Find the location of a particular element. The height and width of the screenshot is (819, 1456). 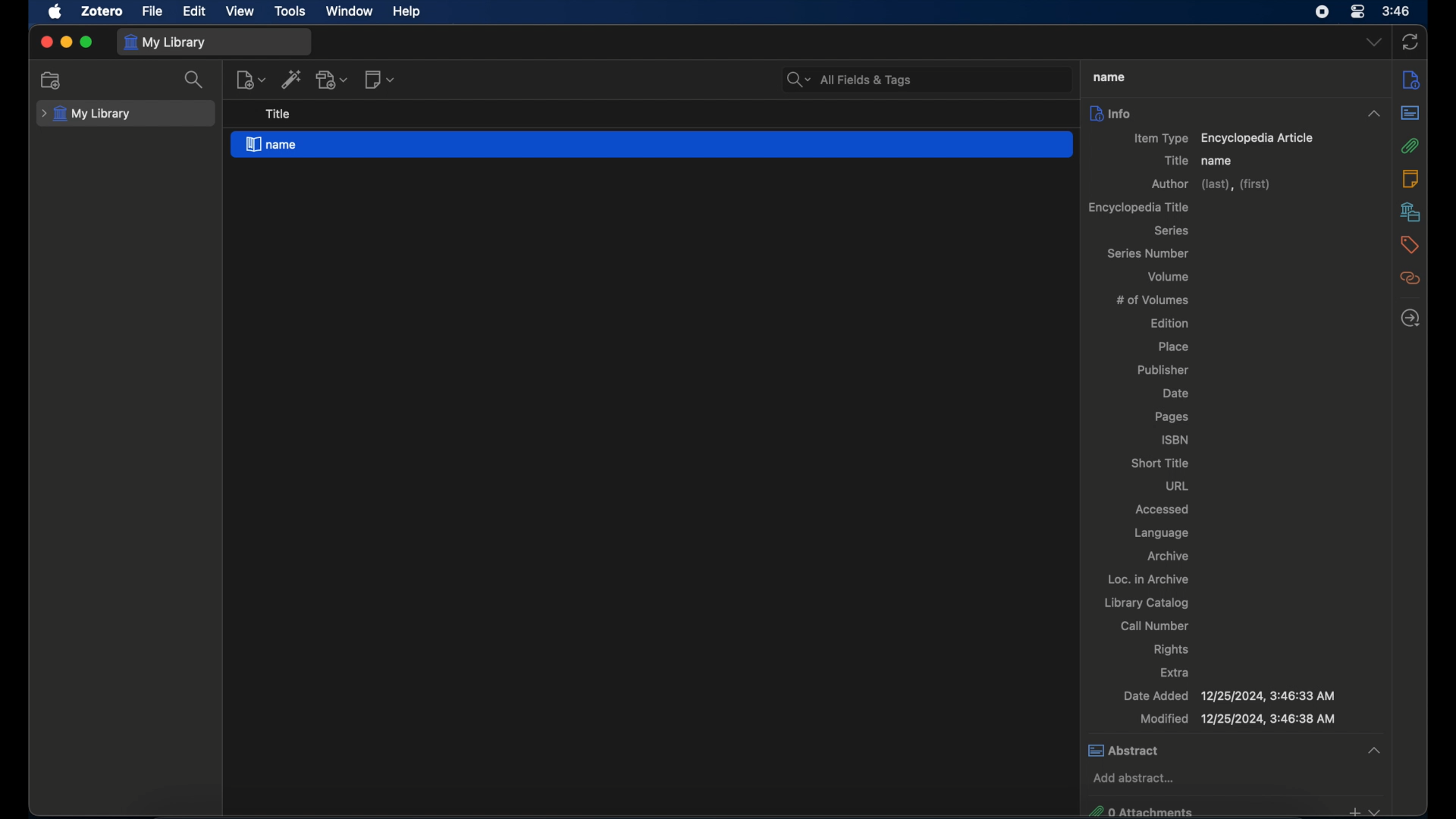

attachments is located at coordinates (1410, 146).